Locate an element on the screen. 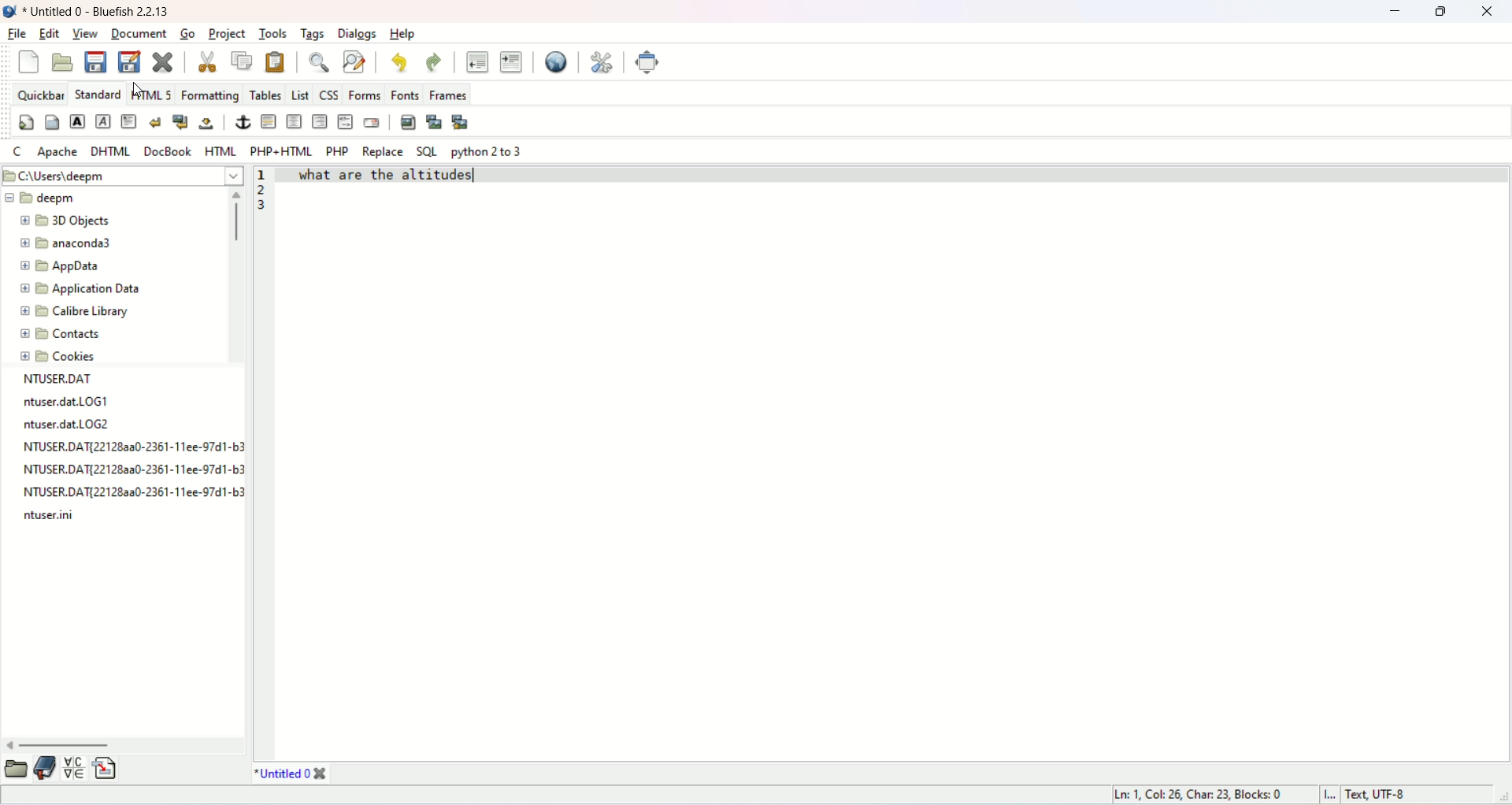 The image size is (1512, 805). title is located at coordinates (98, 13).